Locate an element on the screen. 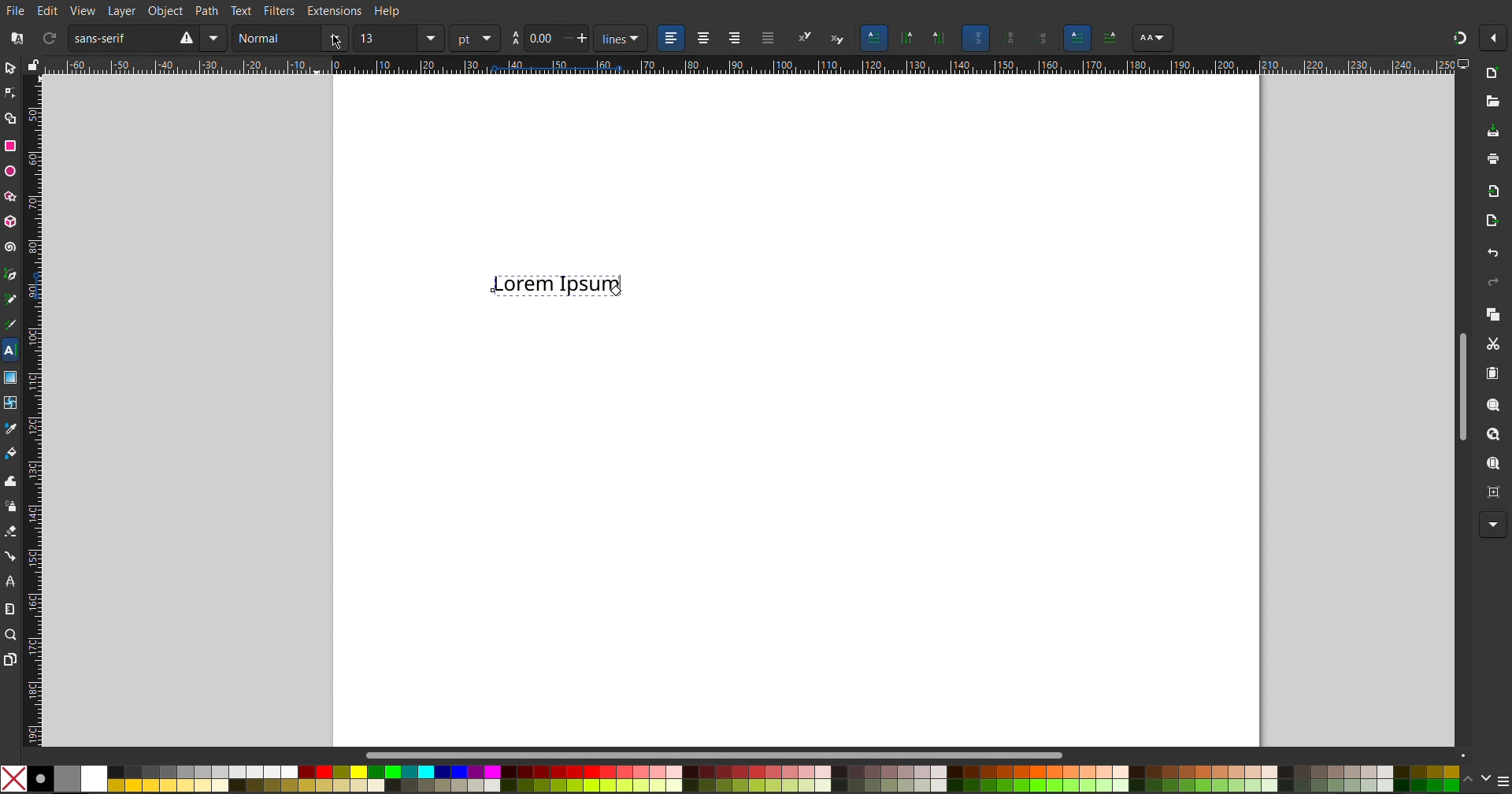 This screenshot has width=1512, height=794. Sideways glyph orientation is located at coordinates (1043, 37).